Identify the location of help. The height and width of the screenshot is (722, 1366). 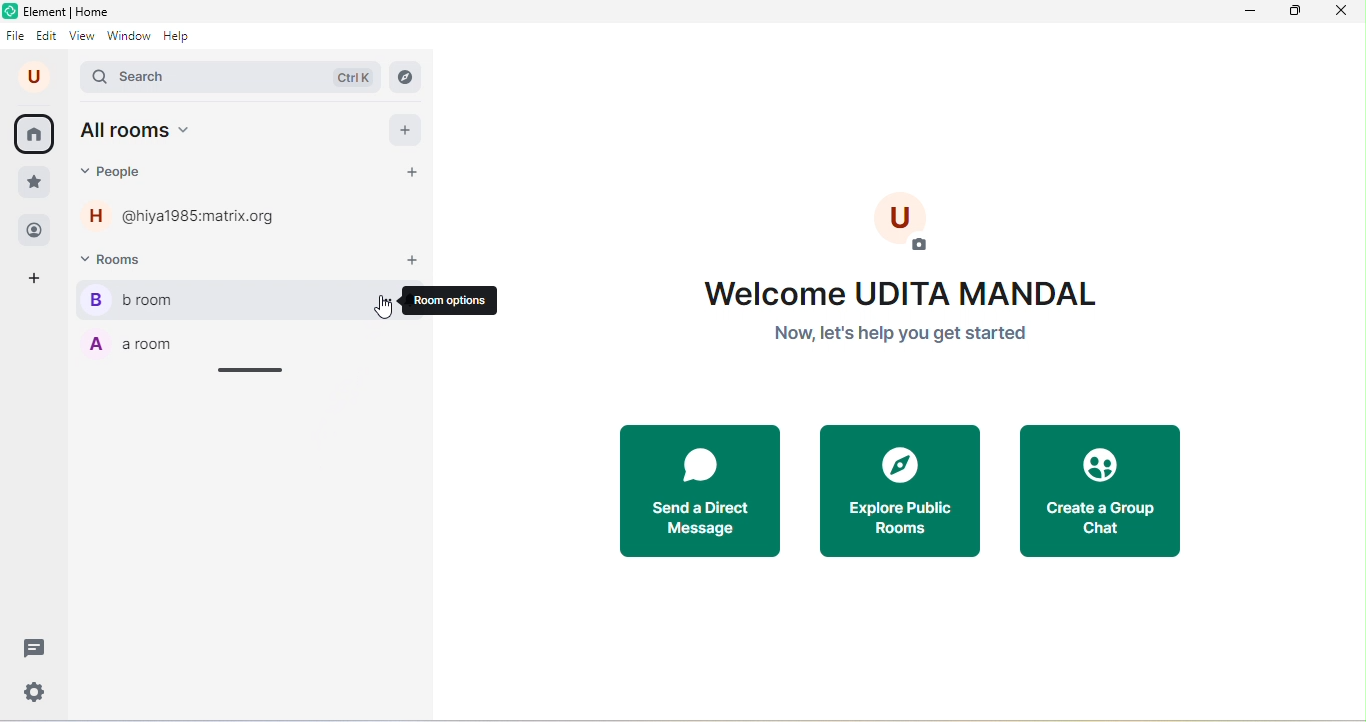
(181, 37).